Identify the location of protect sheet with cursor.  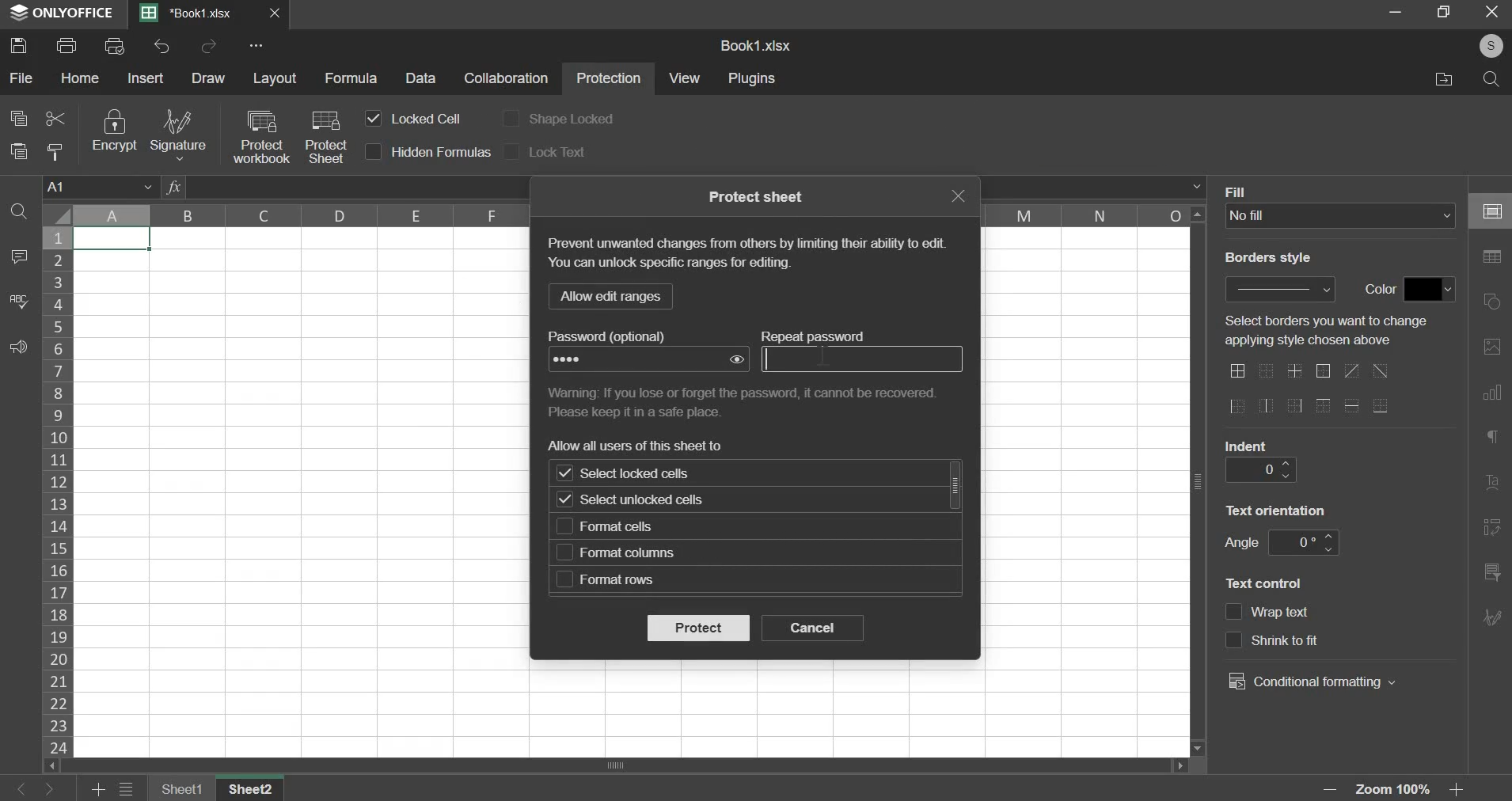
(325, 135).